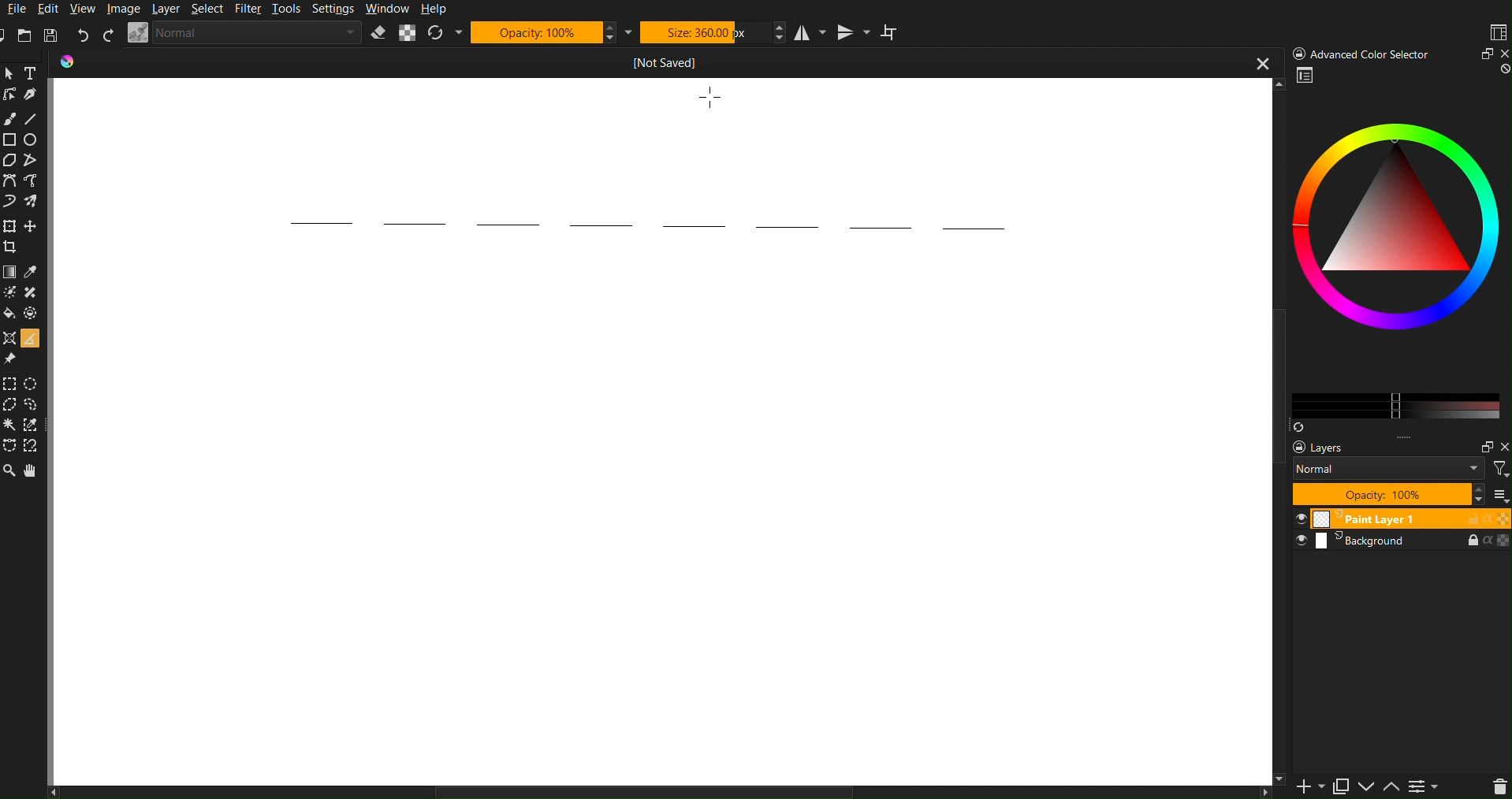  What do you see at coordinates (32, 116) in the screenshot?
I see `Line` at bounding box center [32, 116].